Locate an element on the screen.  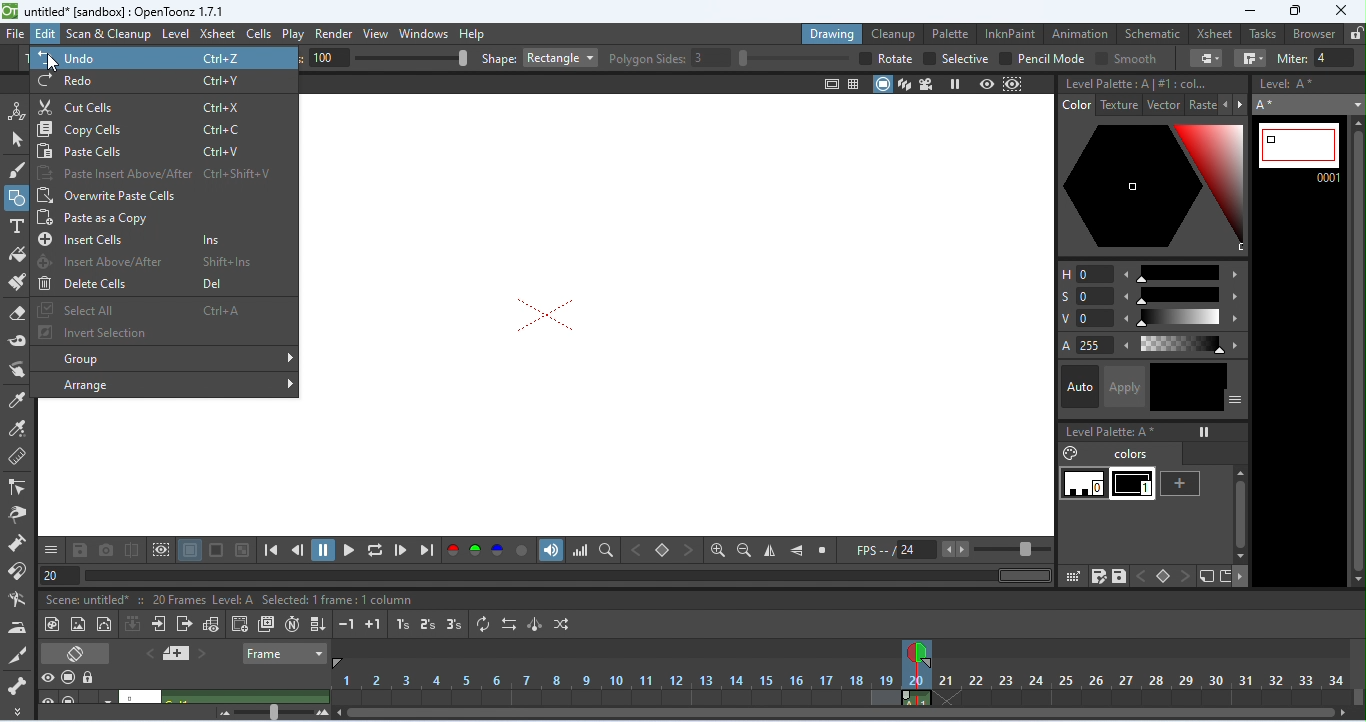
set key is located at coordinates (1160, 575).